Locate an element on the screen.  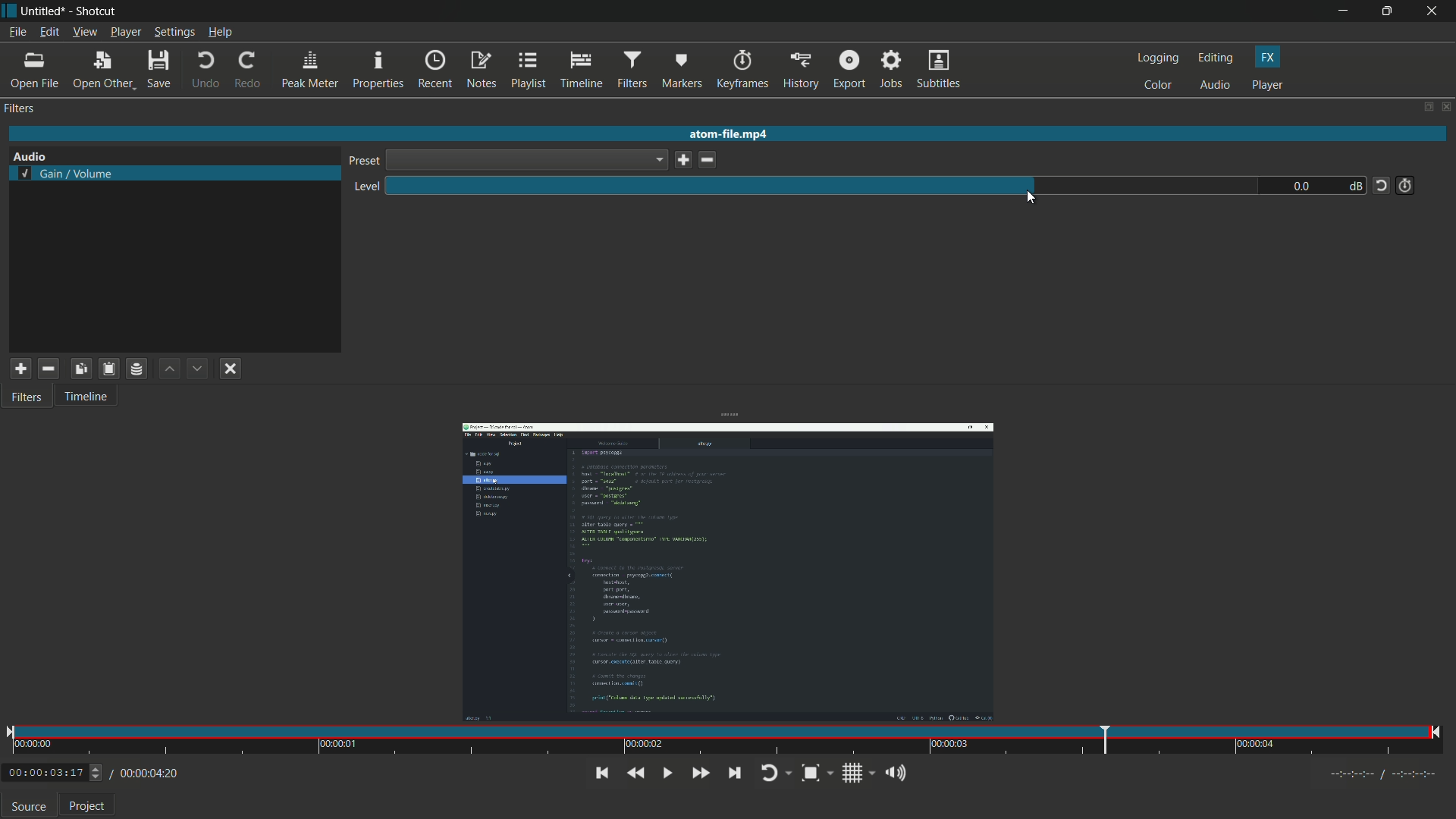
history is located at coordinates (802, 71).